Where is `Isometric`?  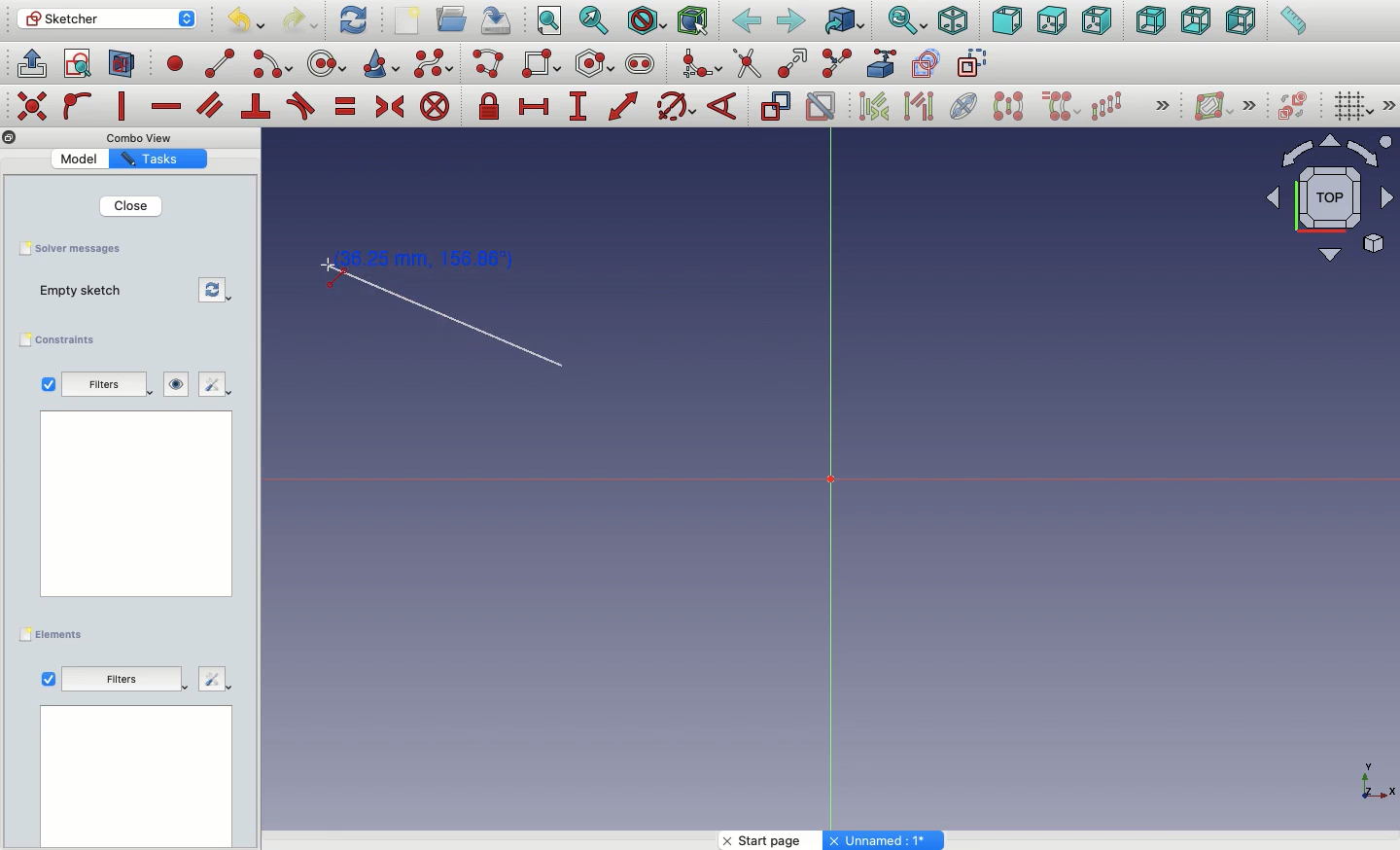
Isometric is located at coordinates (953, 20).